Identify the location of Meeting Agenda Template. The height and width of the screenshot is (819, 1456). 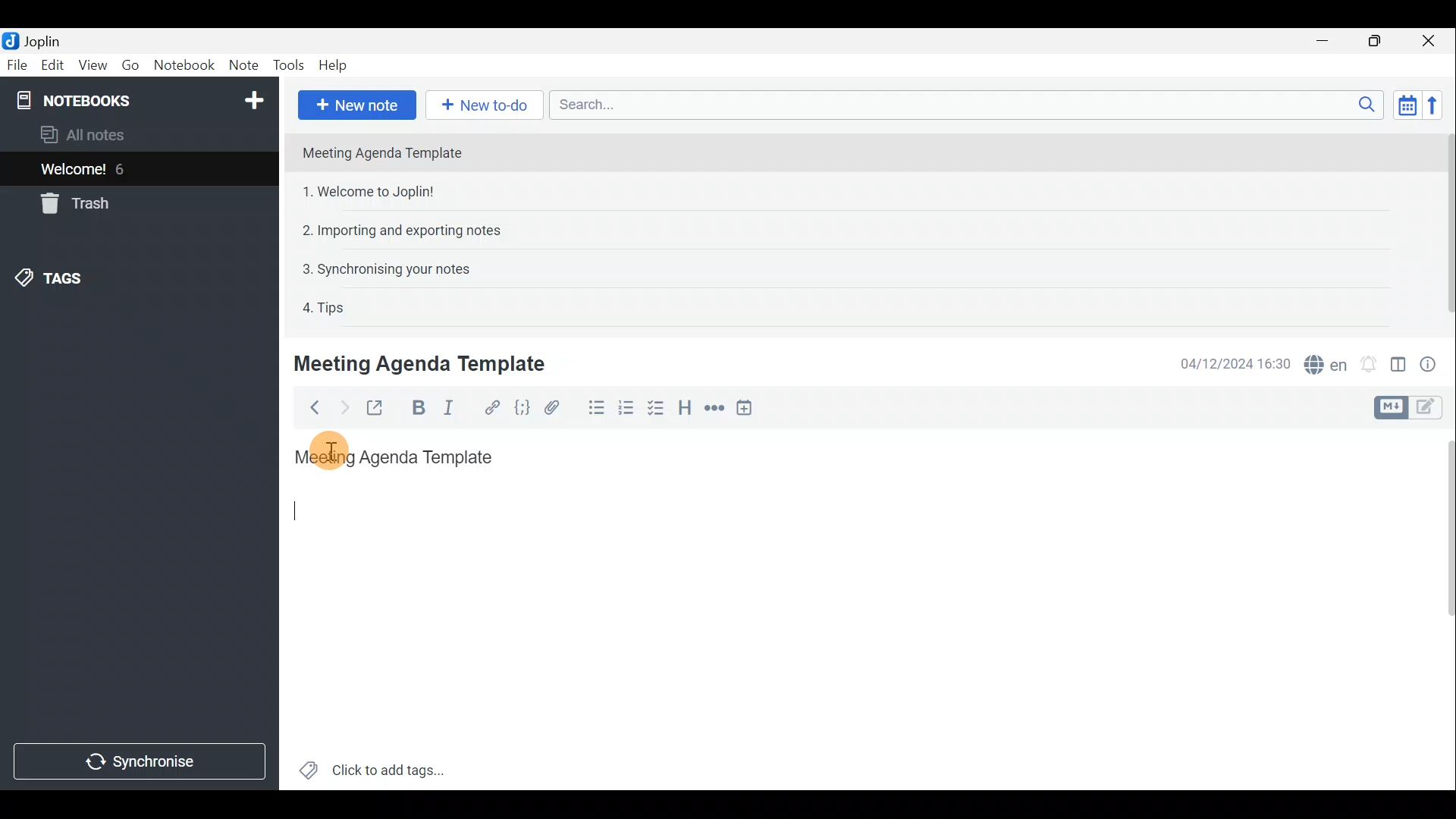
(396, 460).